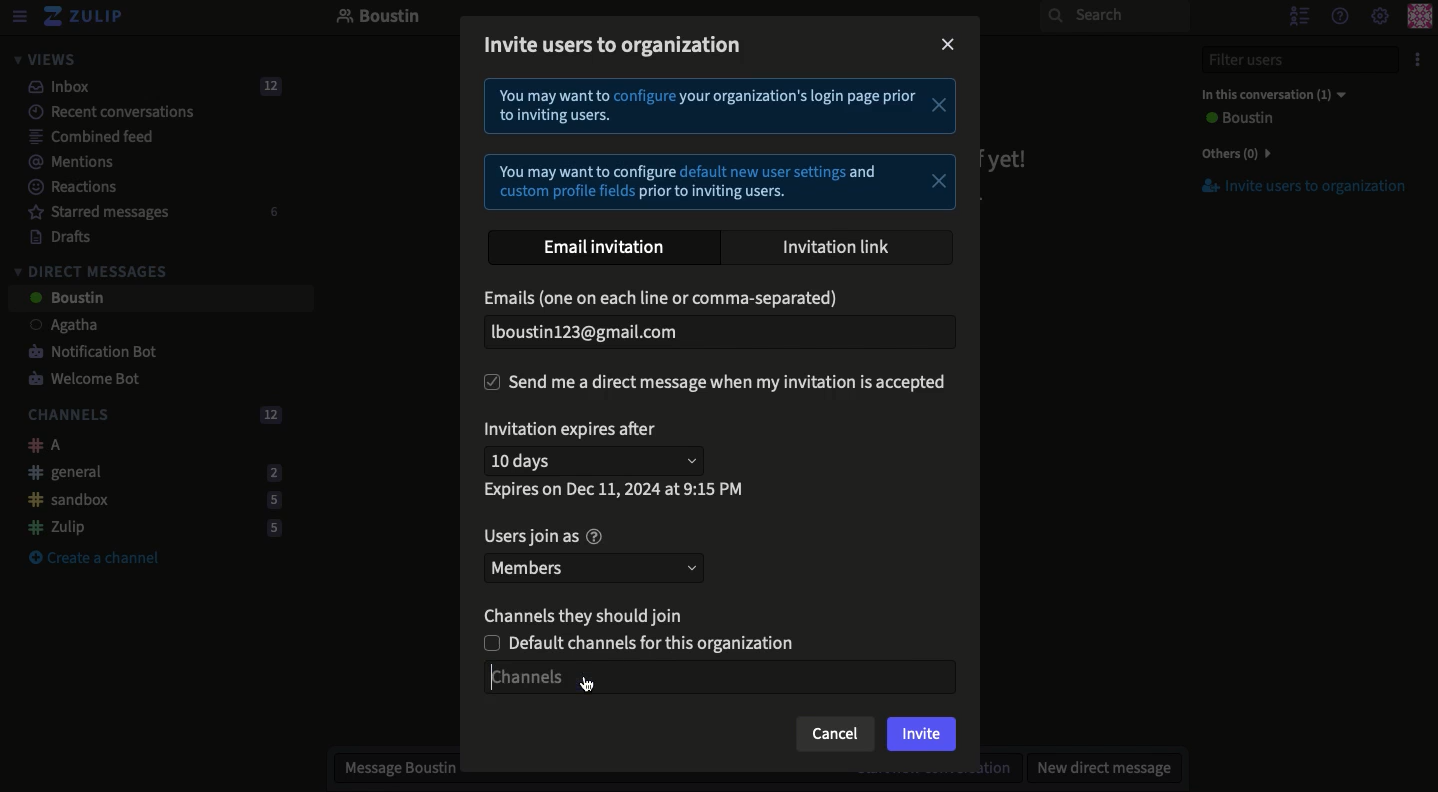  Describe the element at coordinates (1288, 60) in the screenshot. I see `Filter users` at that location.